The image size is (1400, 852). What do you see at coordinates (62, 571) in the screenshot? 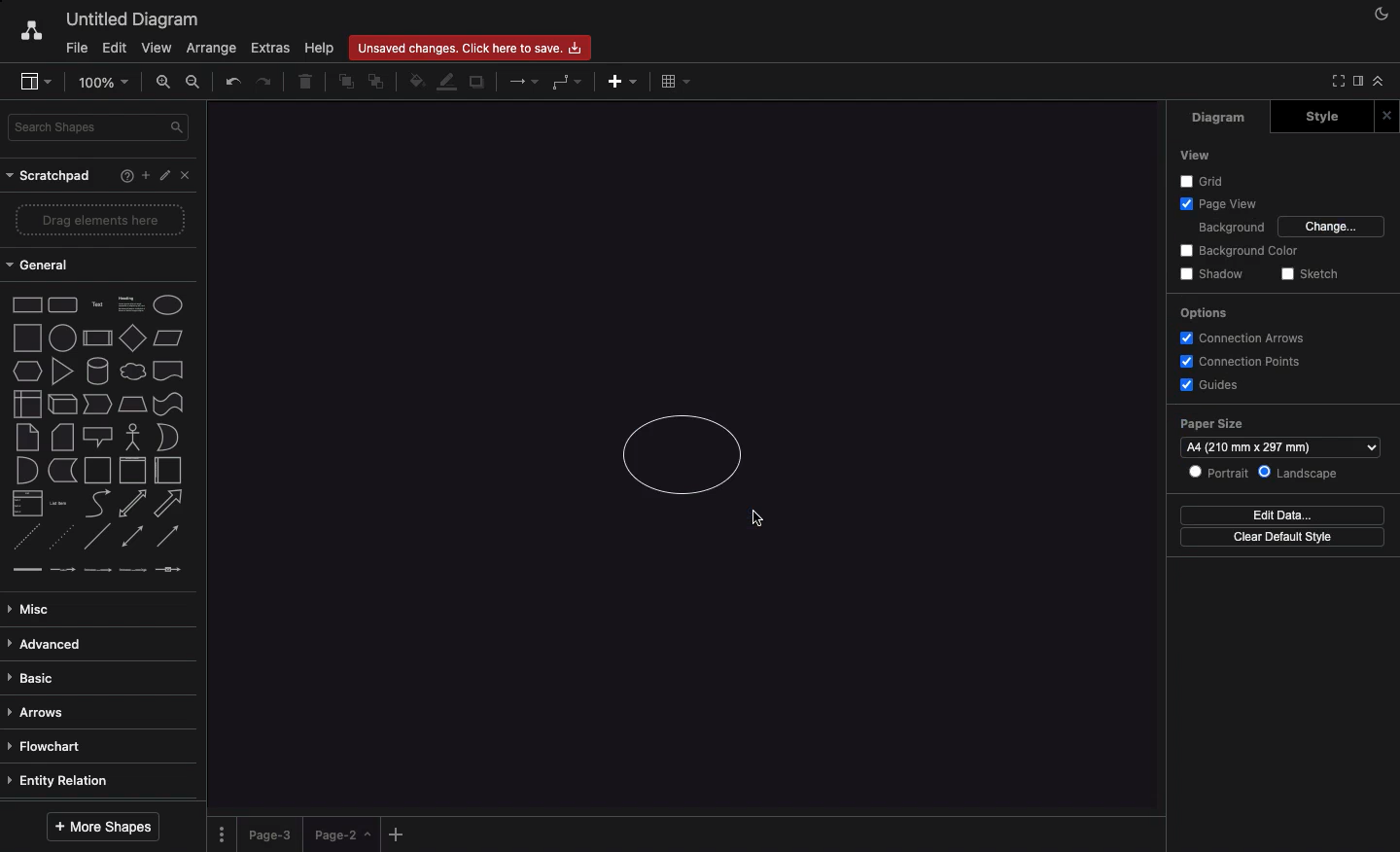
I see `connector with label` at bounding box center [62, 571].